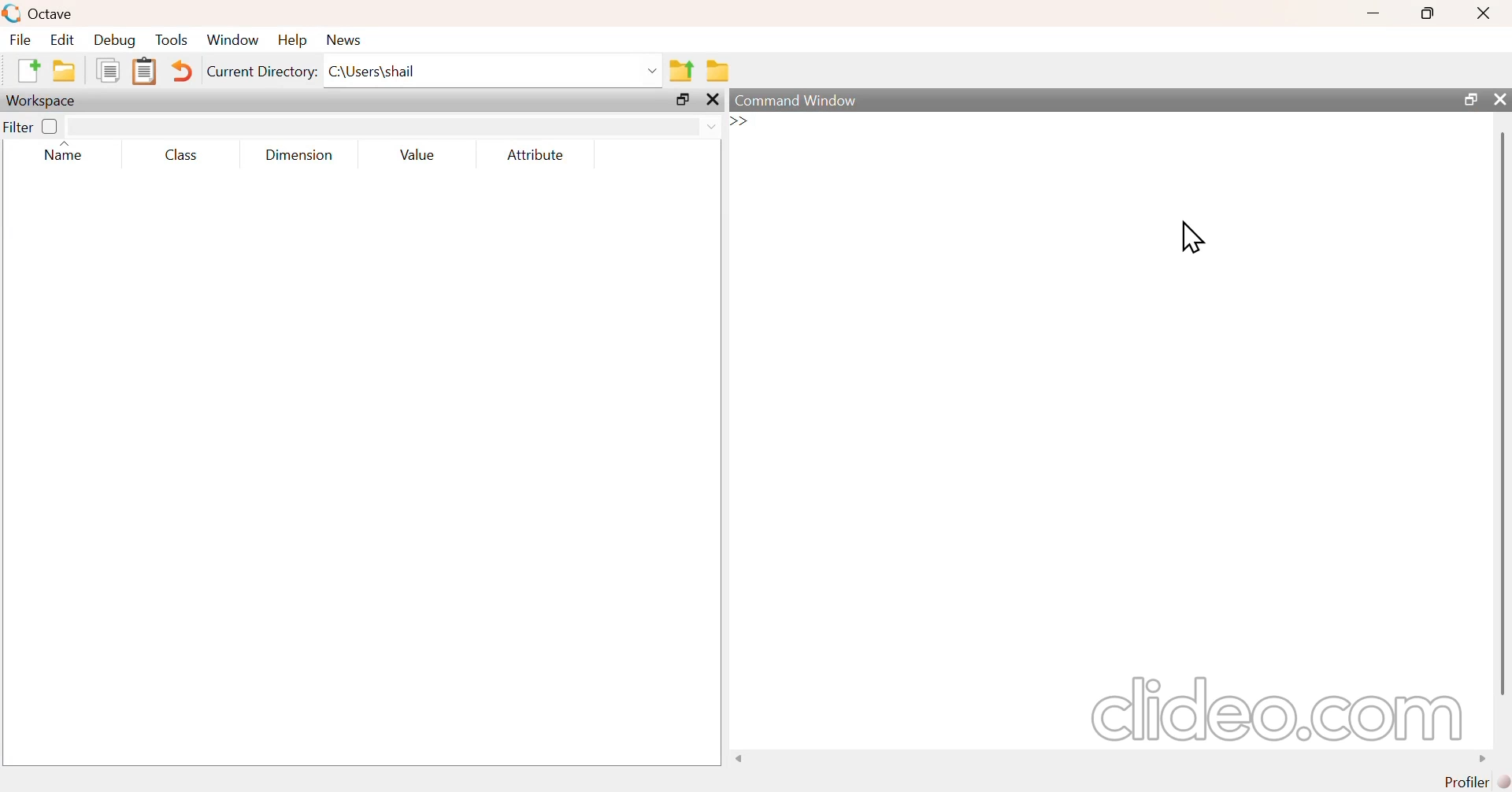 The width and height of the screenshot is (1512, 792). Describe the element at coordinates (345, 40) in the screenshot. I see `news` at that location.